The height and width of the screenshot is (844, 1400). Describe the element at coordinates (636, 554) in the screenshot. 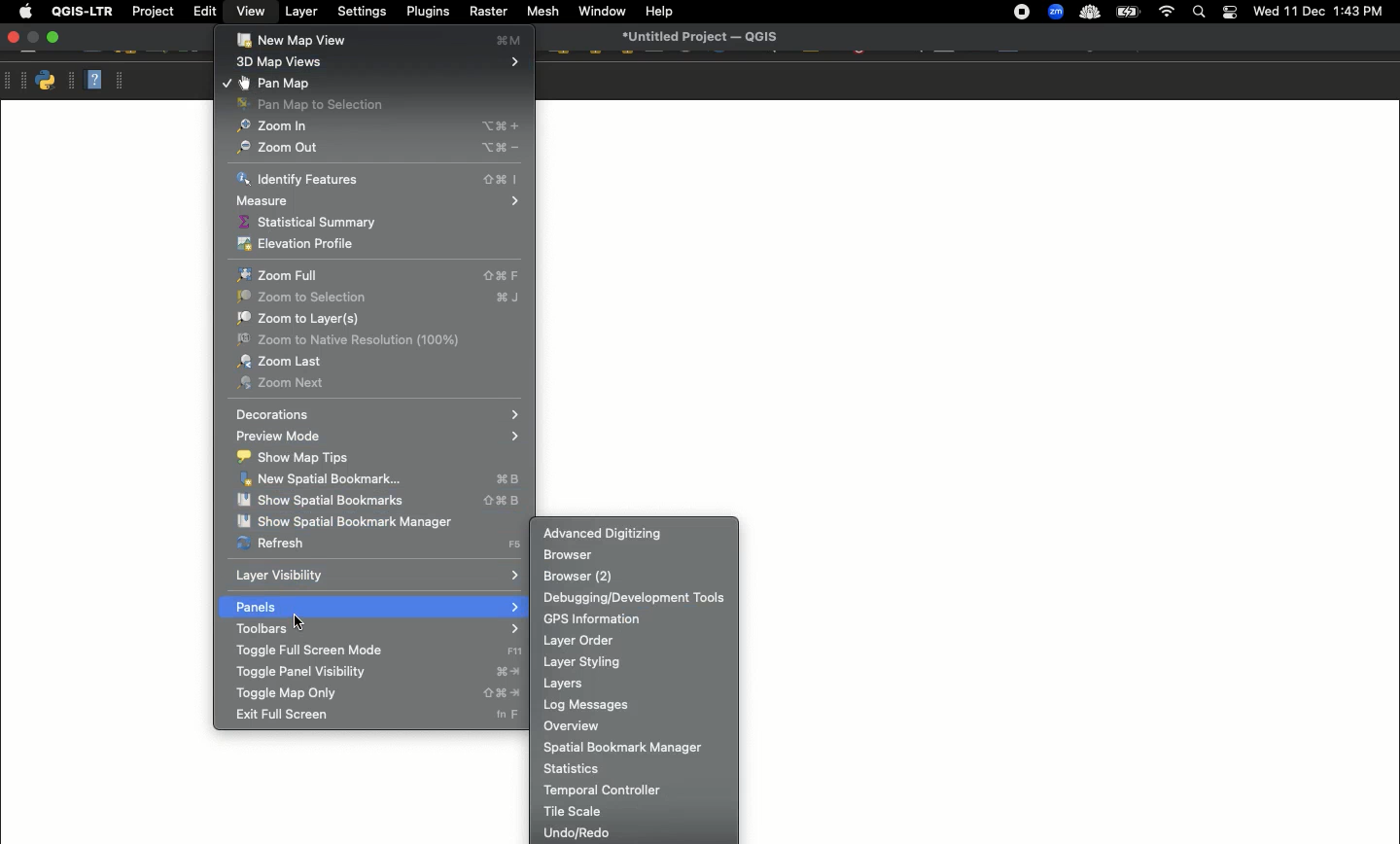

I see `Browser` at that location.